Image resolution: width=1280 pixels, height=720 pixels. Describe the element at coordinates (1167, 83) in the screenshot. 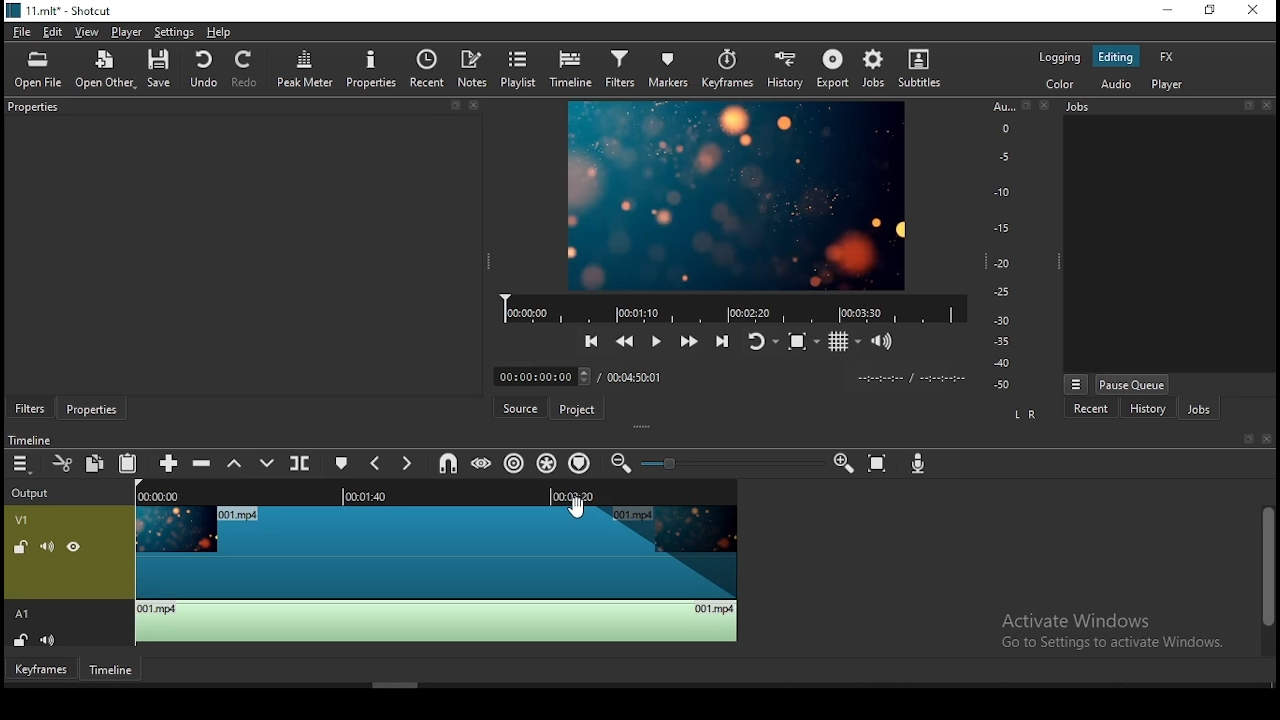

I see `player` at that location.